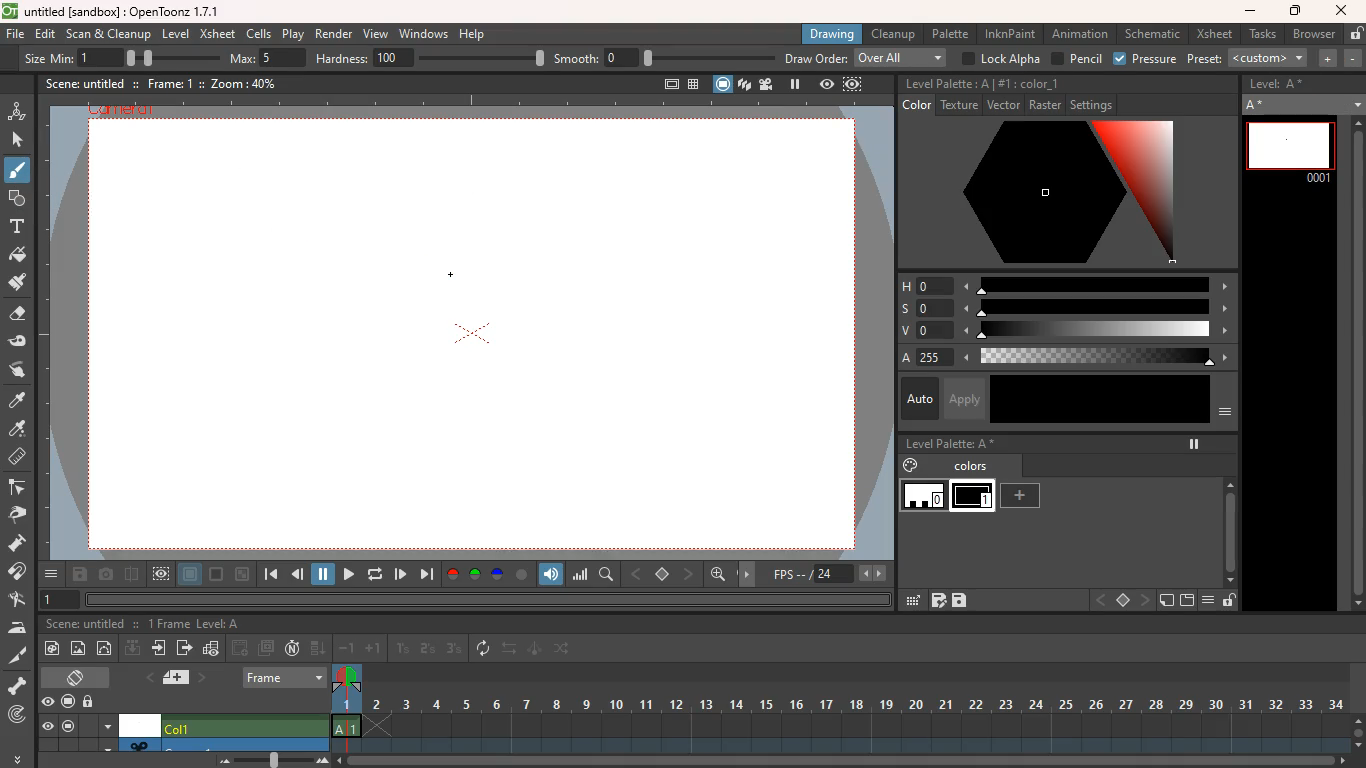 The width and height of the screenshot is (1366, 768). I want to click on graph, so click(213, 649).